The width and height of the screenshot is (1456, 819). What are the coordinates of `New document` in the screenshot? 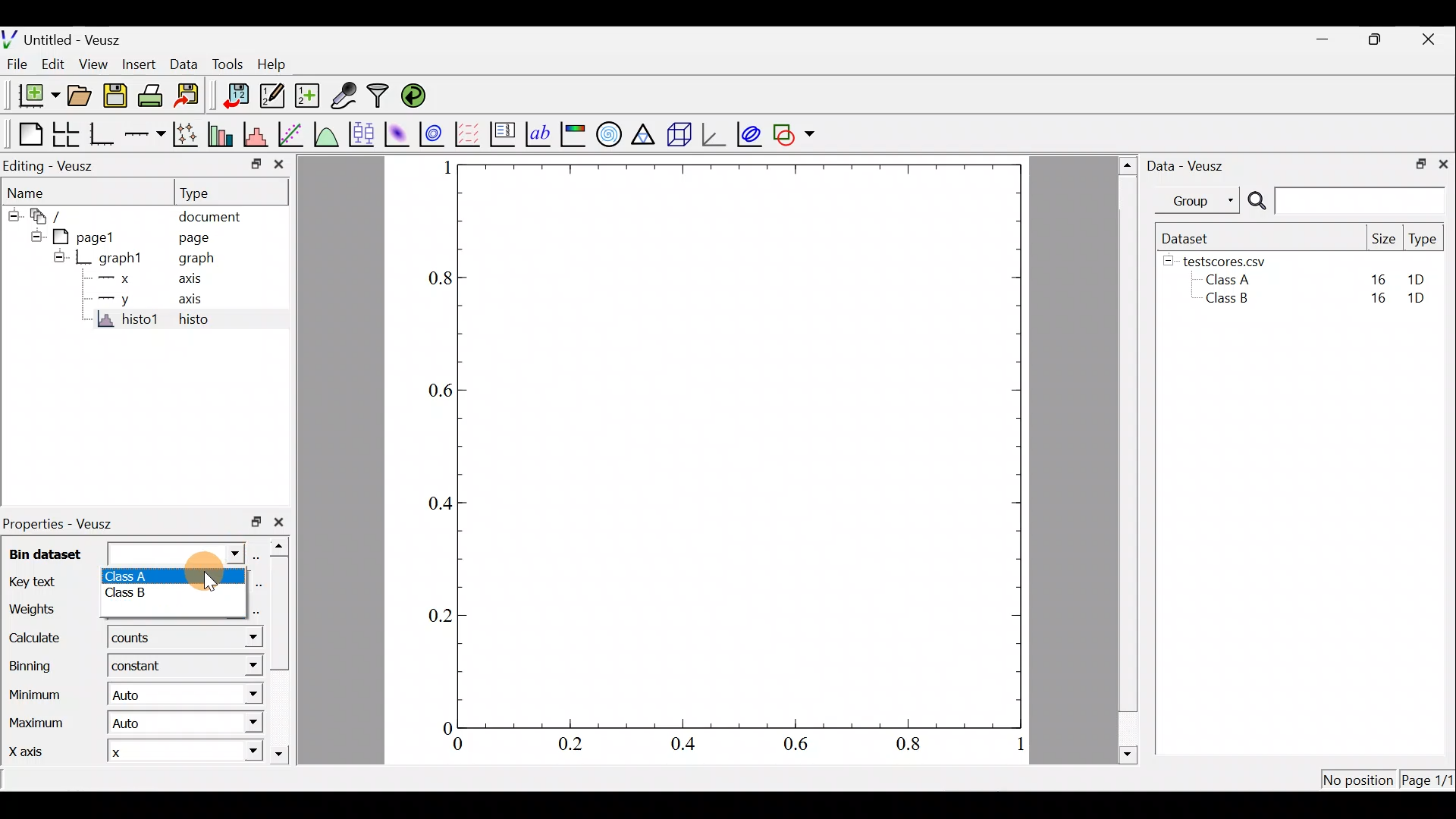 It's located at (32, 95).